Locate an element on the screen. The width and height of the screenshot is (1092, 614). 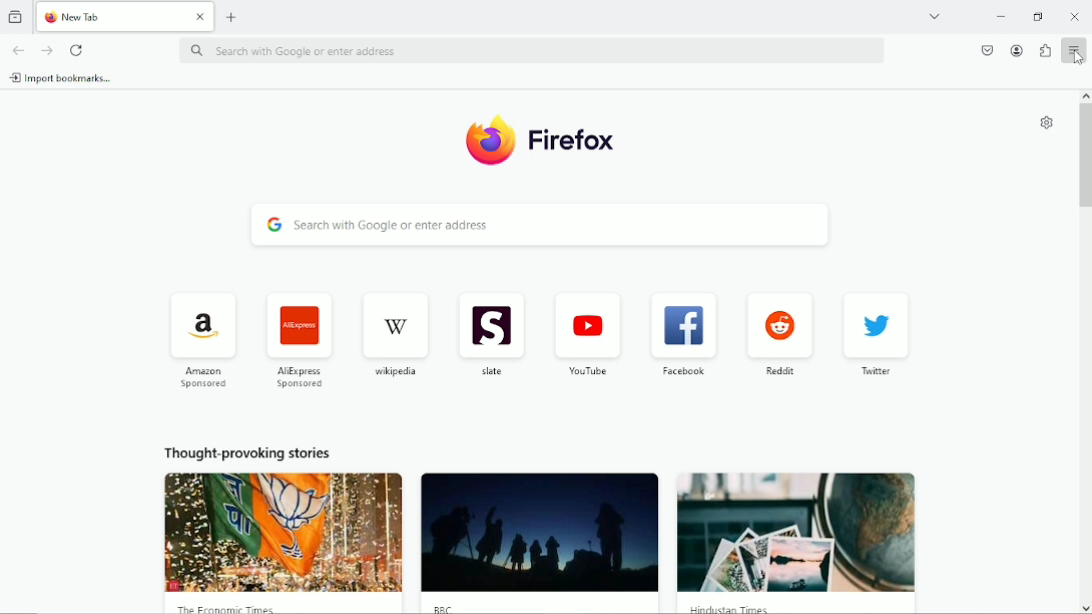
wikipedia is located at coordinates (393, 320).